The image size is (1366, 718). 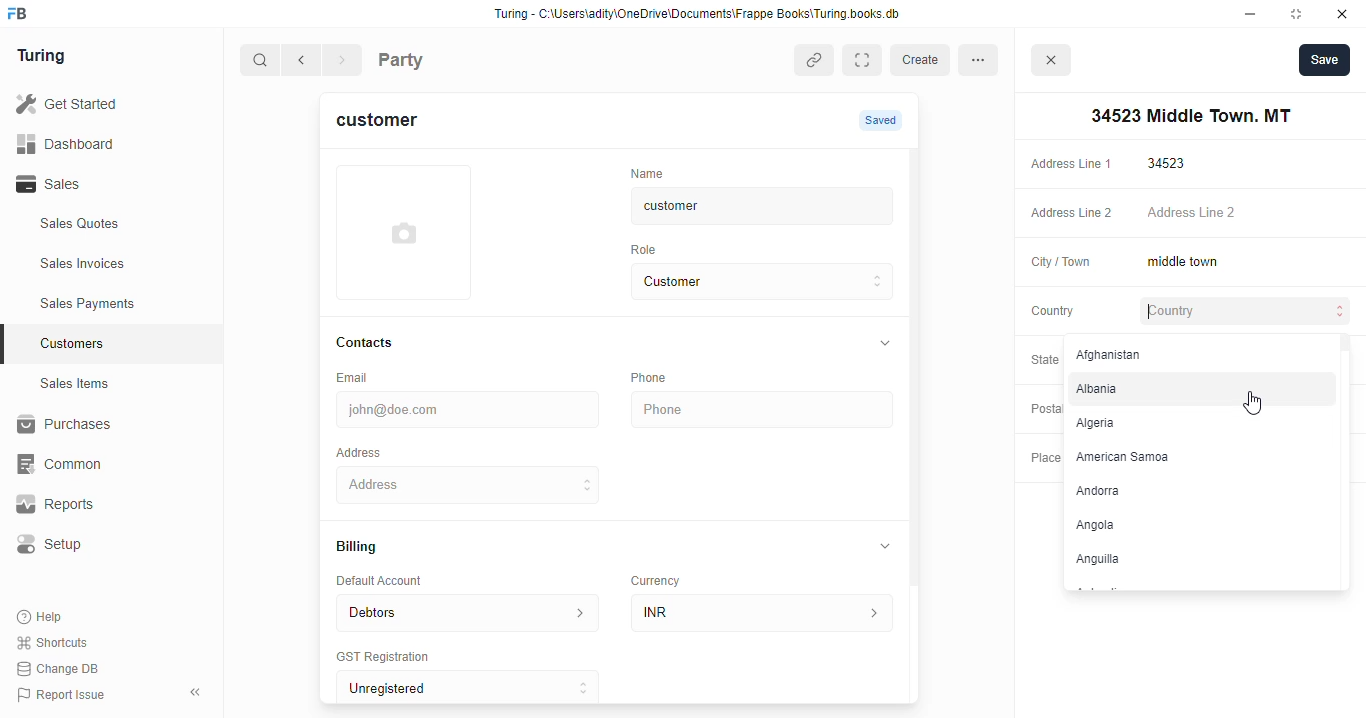 What do you see at coordinates (1300, 14) in the screenshot?
I see `maximise` at bounding box center [1300, 14].